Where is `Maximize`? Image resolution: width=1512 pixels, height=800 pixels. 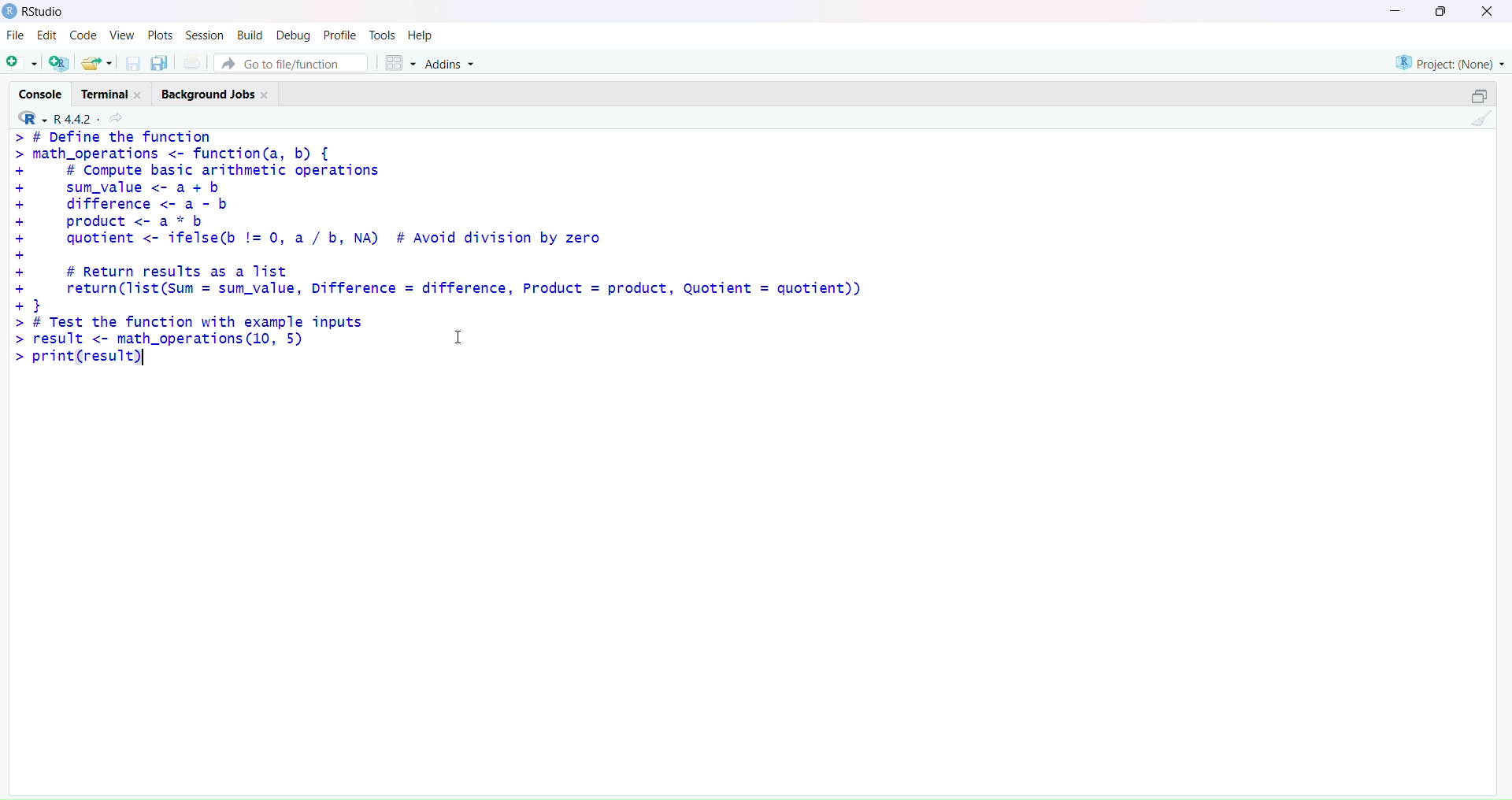
Maximize is located at coordinates (1442, 12).